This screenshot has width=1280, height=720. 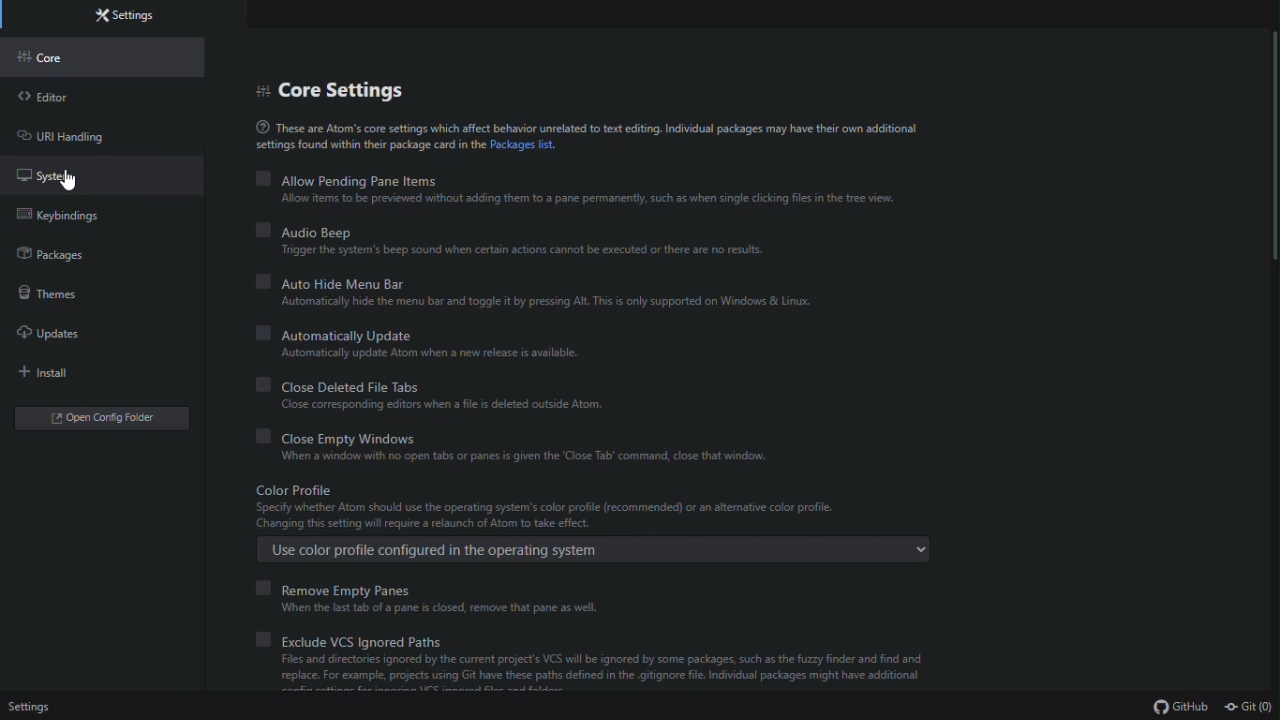 I want to click on Automatically hide the menu bar and toggle it by pressing Alt. This is only supported on Windows & Linux., so click(x=552, y=303).